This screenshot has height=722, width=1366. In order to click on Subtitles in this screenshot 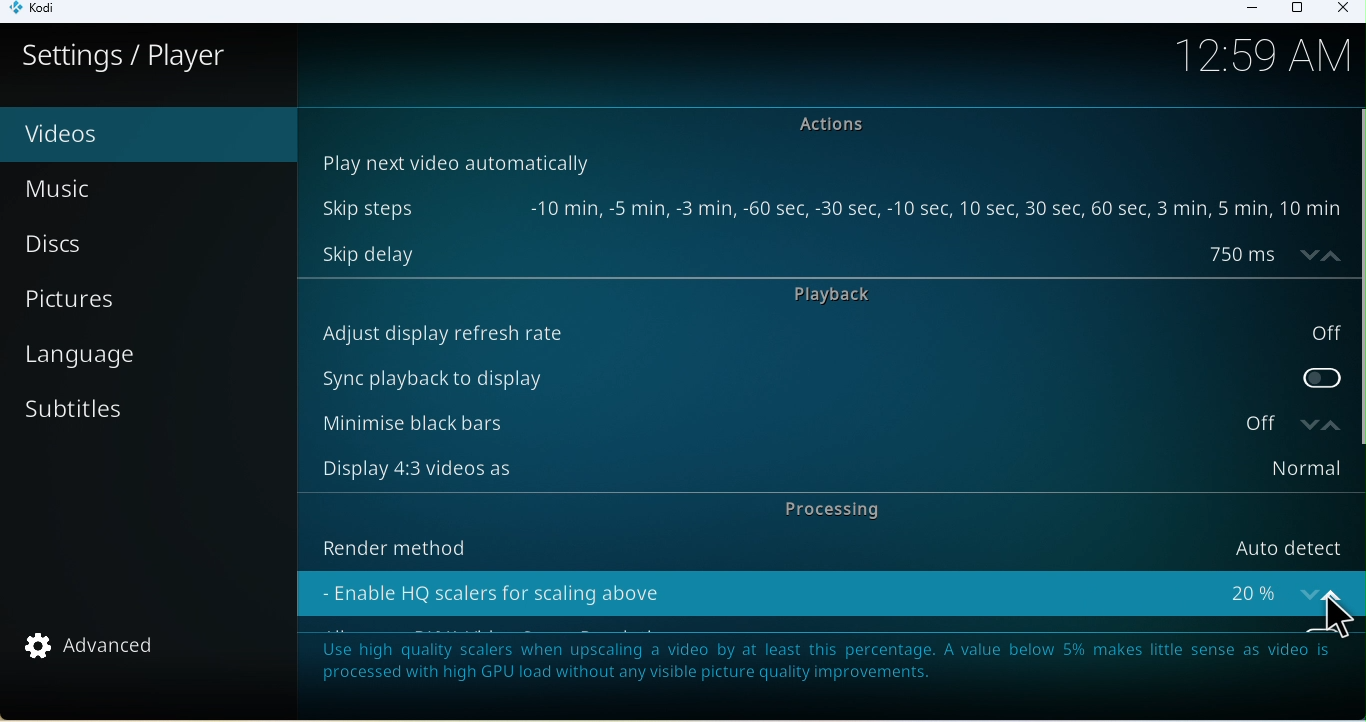, I will do `click(127, 417)`.